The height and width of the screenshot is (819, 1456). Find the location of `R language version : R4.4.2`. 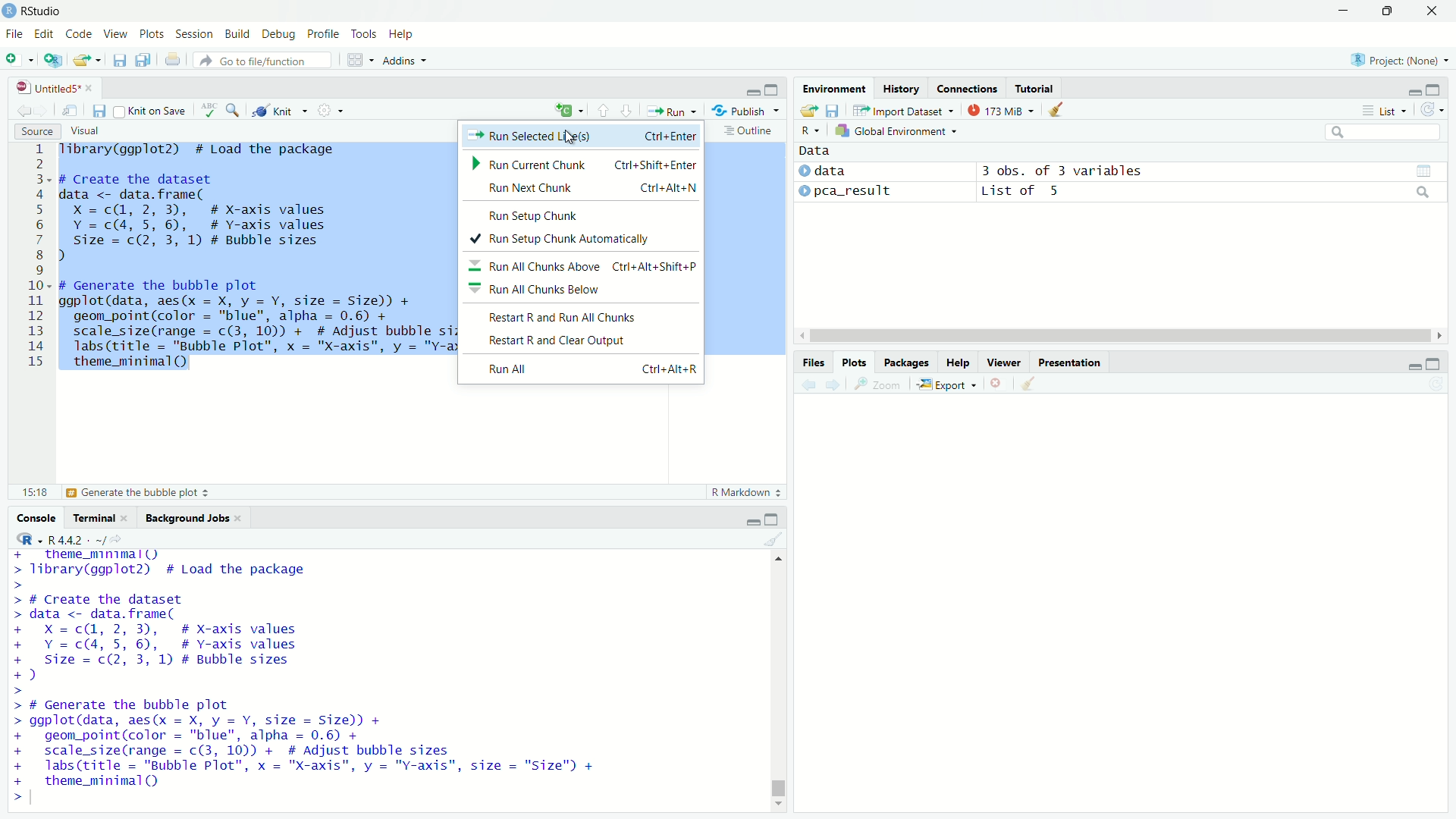

R language version : R4.4.2 is located at coordinates (85, 539).